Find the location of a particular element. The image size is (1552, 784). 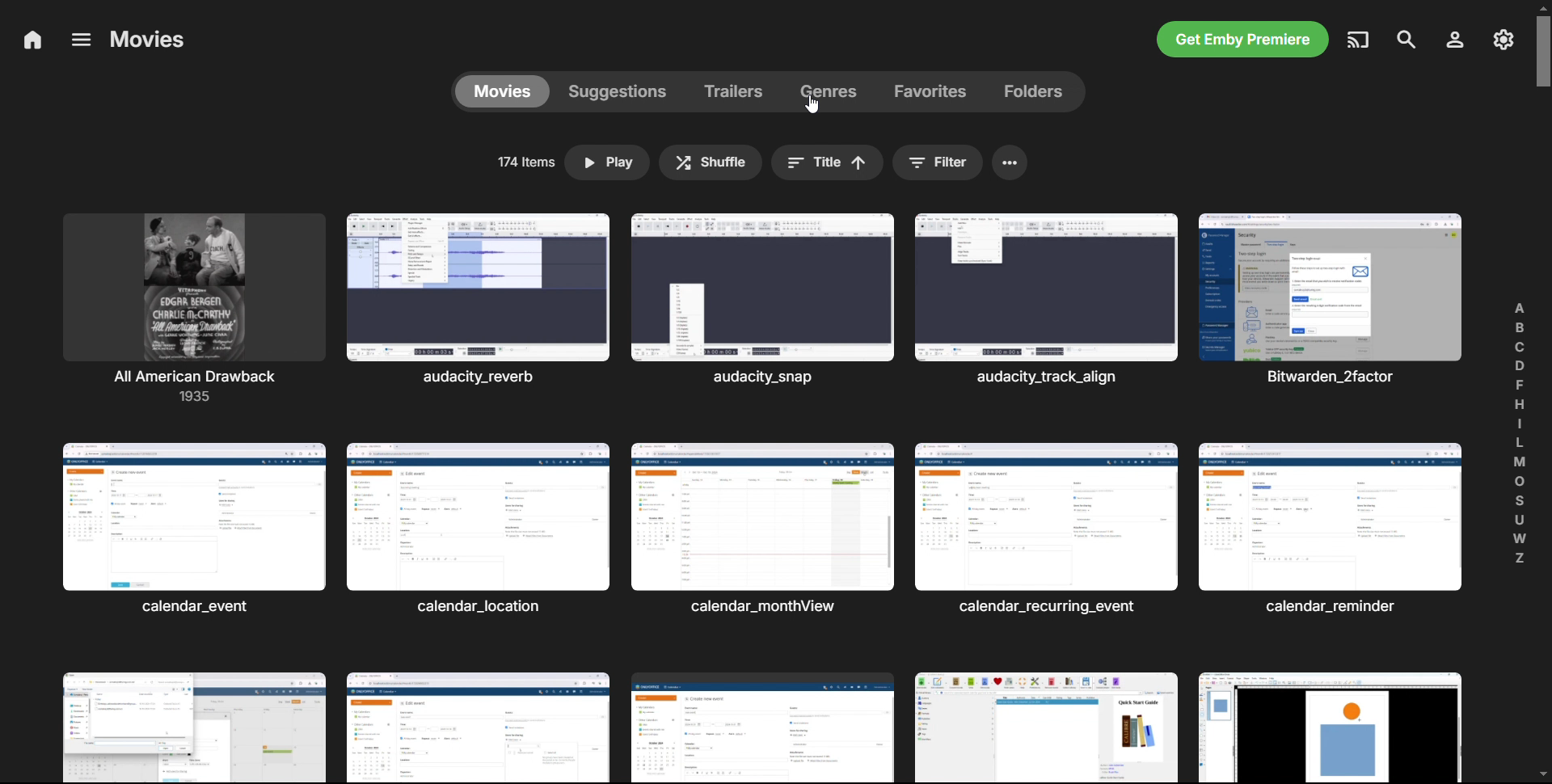

ABCDFHILMOSUWZ is located at coordinates (1520, 433).